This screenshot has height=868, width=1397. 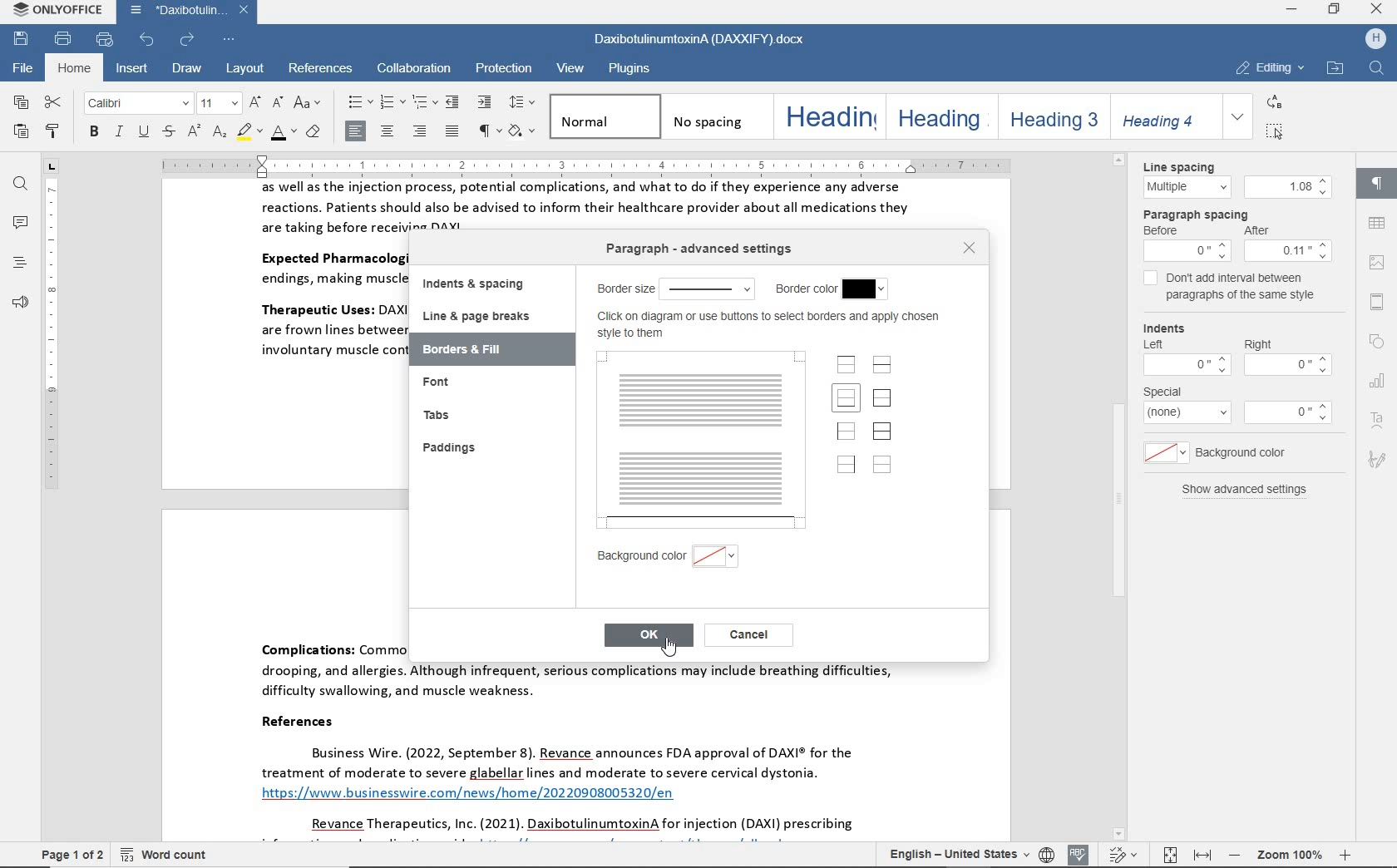 What do you see at coordinates (357, 131) in the screenshot?
I see `align left` at bounding box center [357, 131].